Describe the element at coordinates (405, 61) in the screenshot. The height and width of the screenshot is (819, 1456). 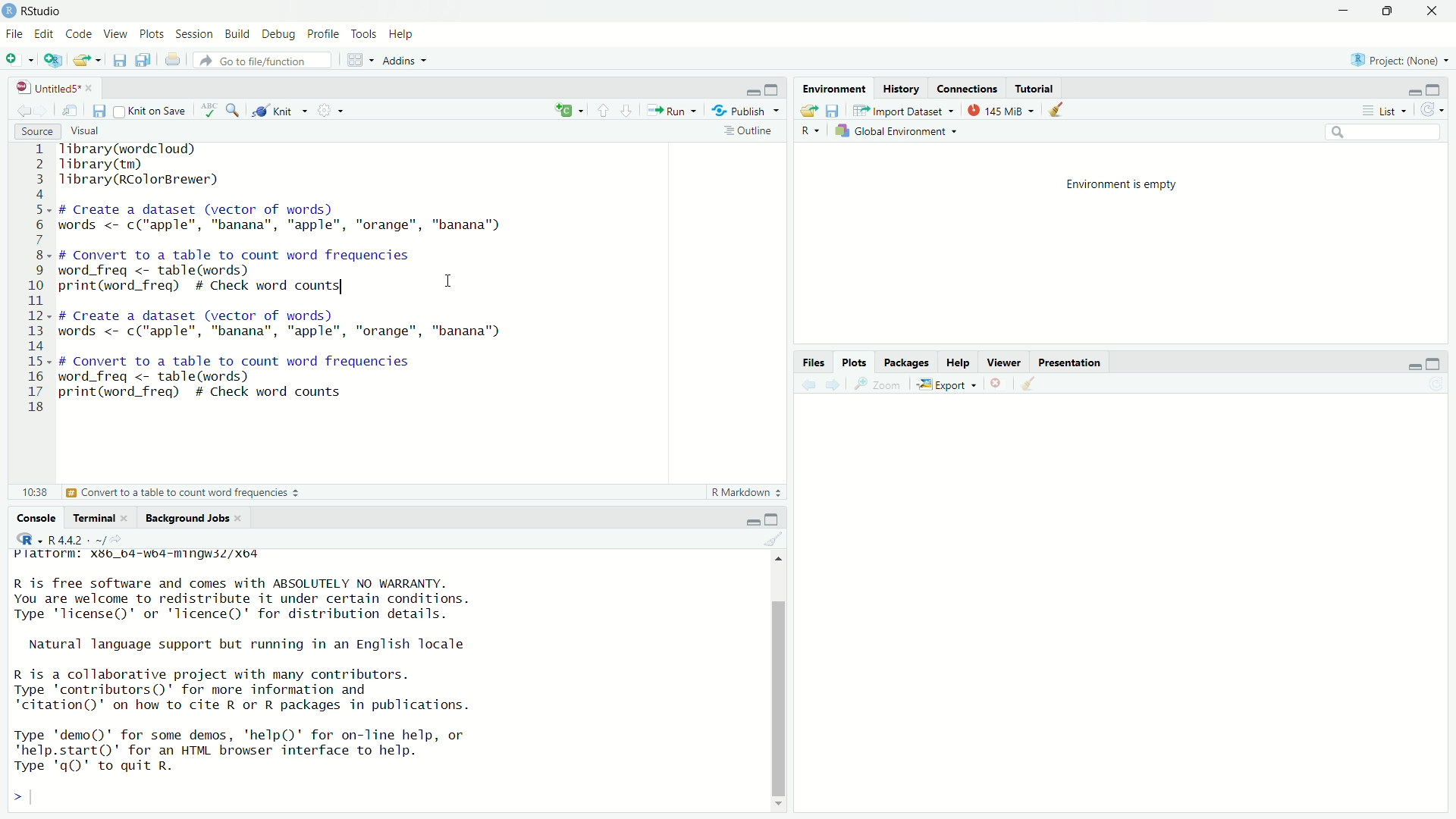
I see `Addins` at that location.